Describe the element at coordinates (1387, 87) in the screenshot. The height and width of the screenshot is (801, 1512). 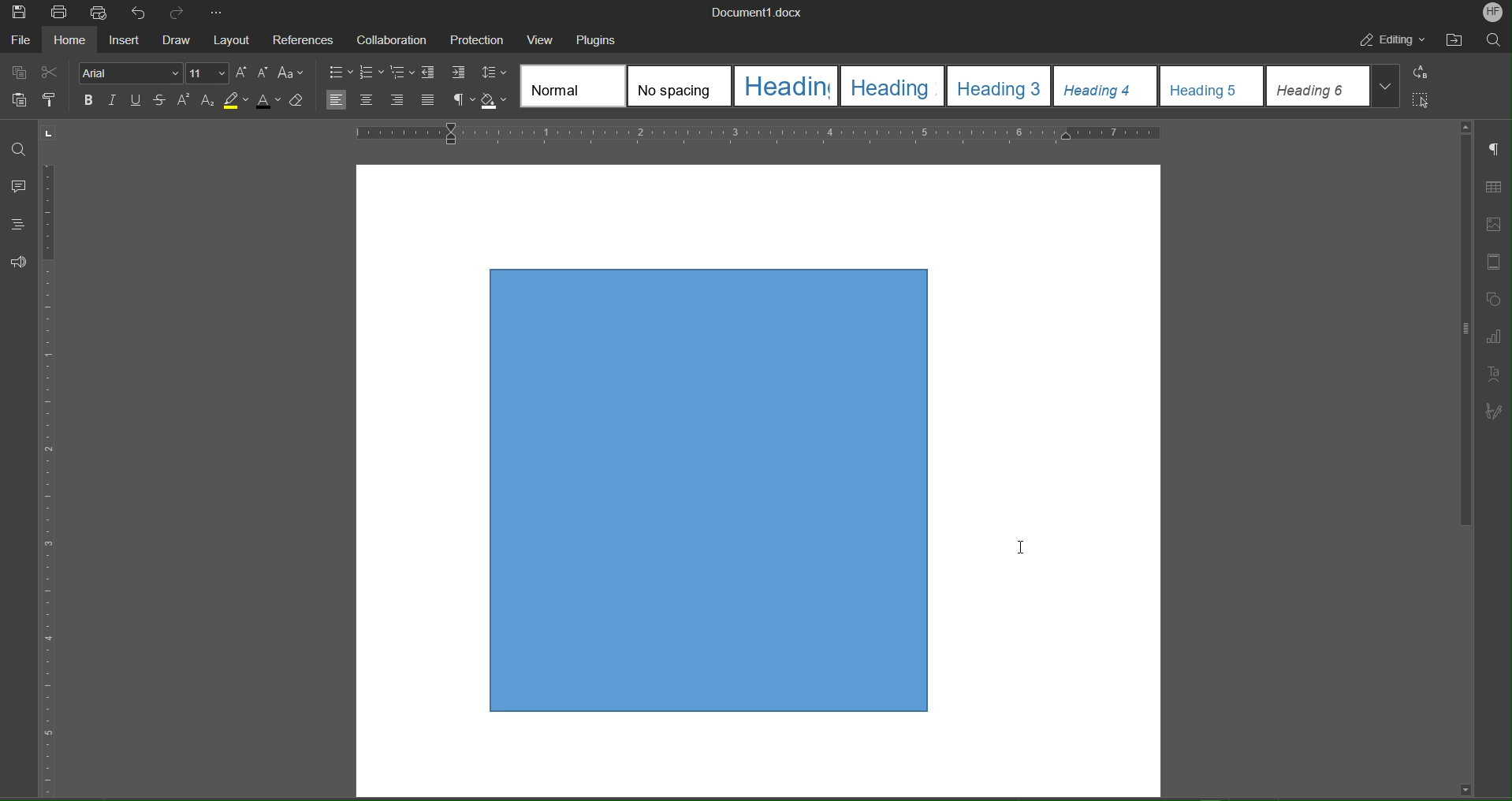
I see `More Headings` at that location.